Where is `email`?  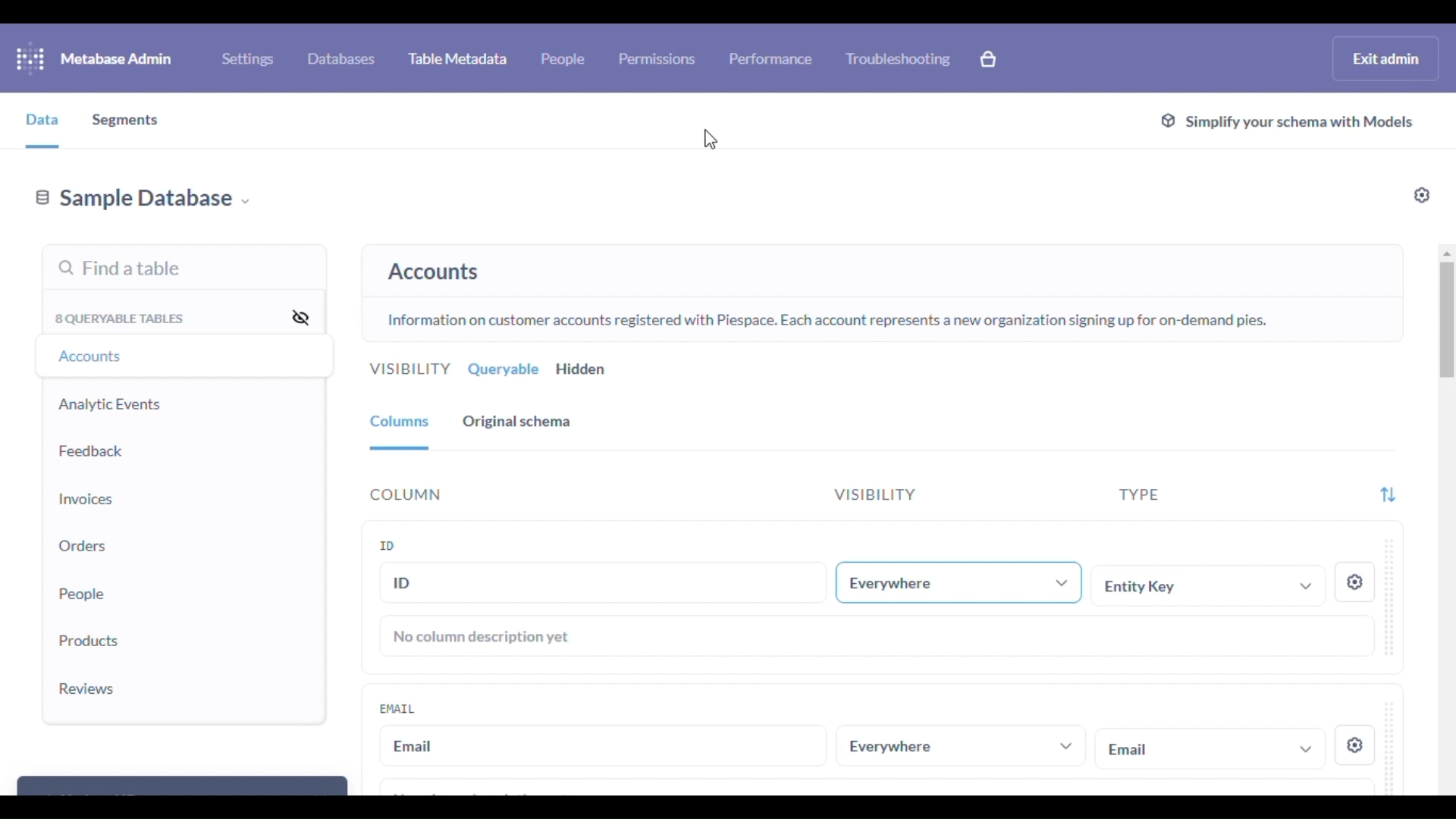 email is located at coordinates (604, 746).